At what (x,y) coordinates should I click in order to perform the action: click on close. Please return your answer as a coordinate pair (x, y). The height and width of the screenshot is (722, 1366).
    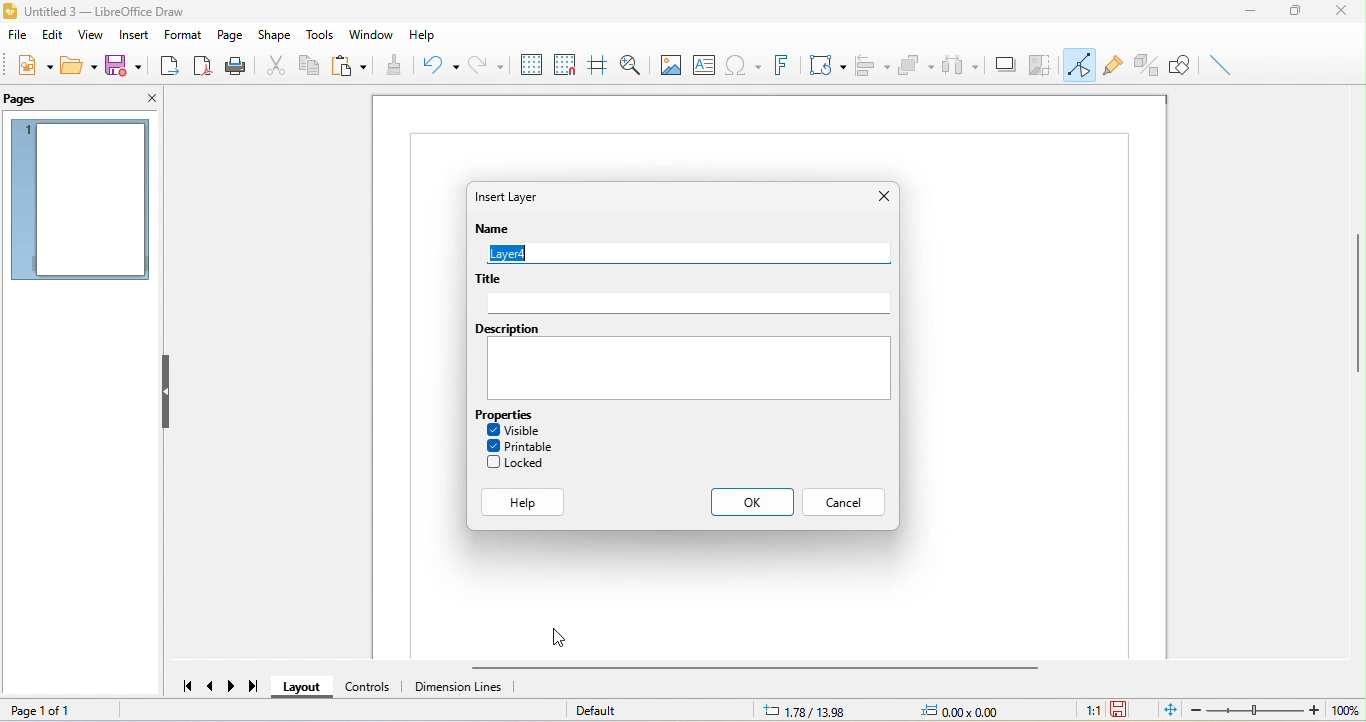
    Looking at the image, I should click on (882, 197).